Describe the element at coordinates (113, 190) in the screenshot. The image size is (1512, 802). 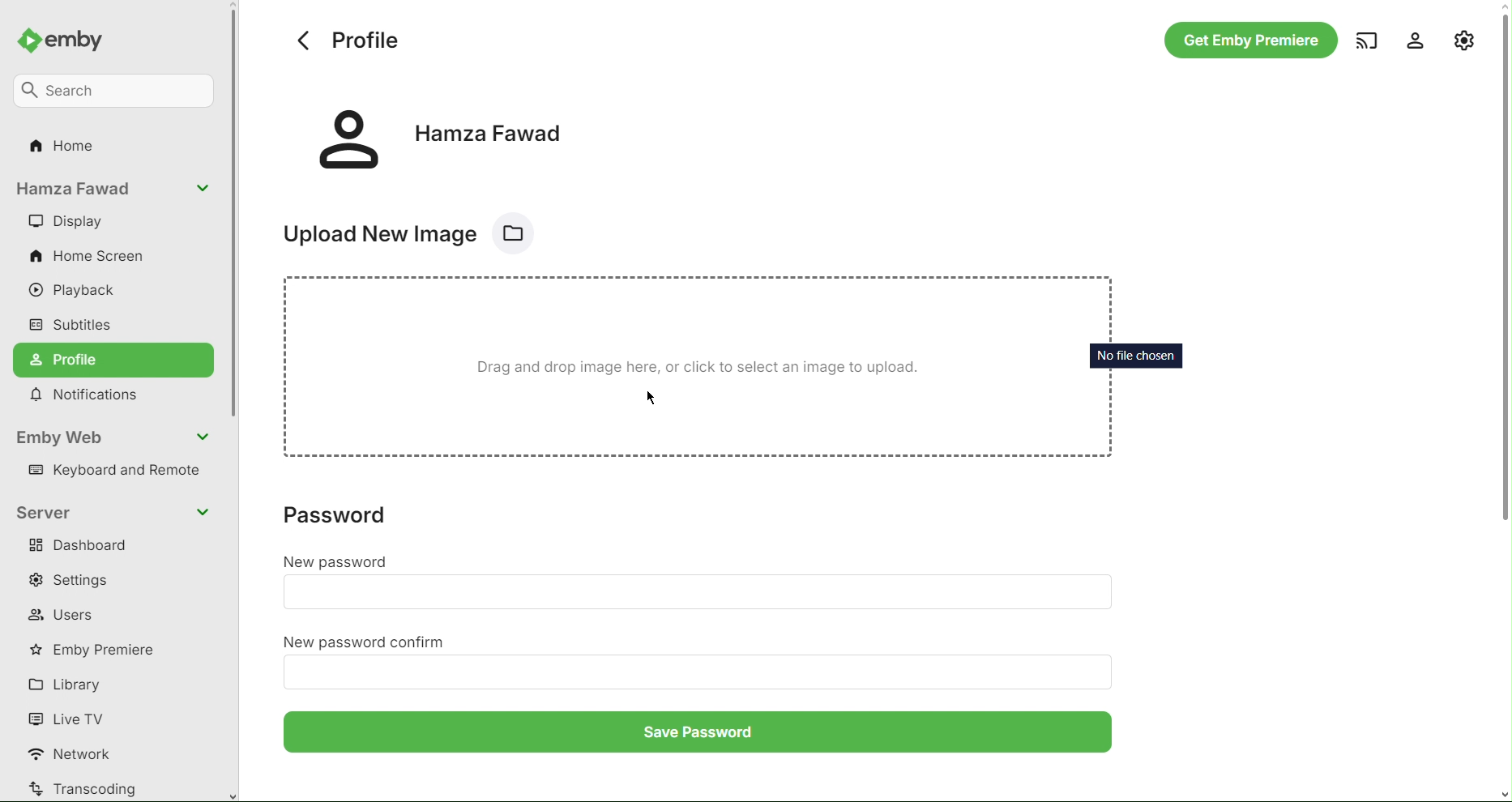
I see `Account` at that location.